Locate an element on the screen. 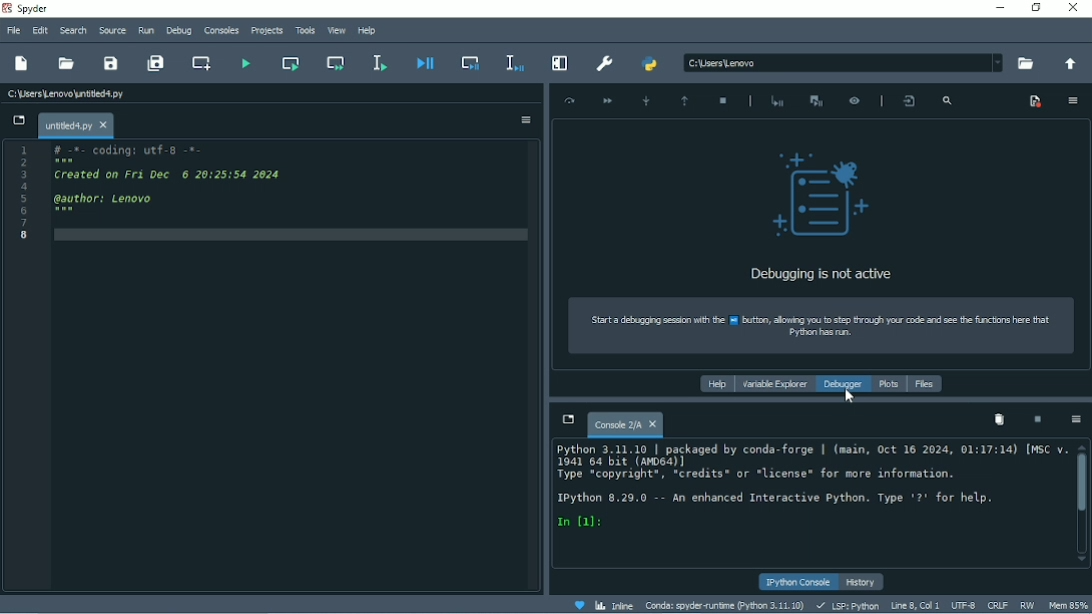 The image size is (1092, 614). Run current cell is located at coordinates (290, 63).